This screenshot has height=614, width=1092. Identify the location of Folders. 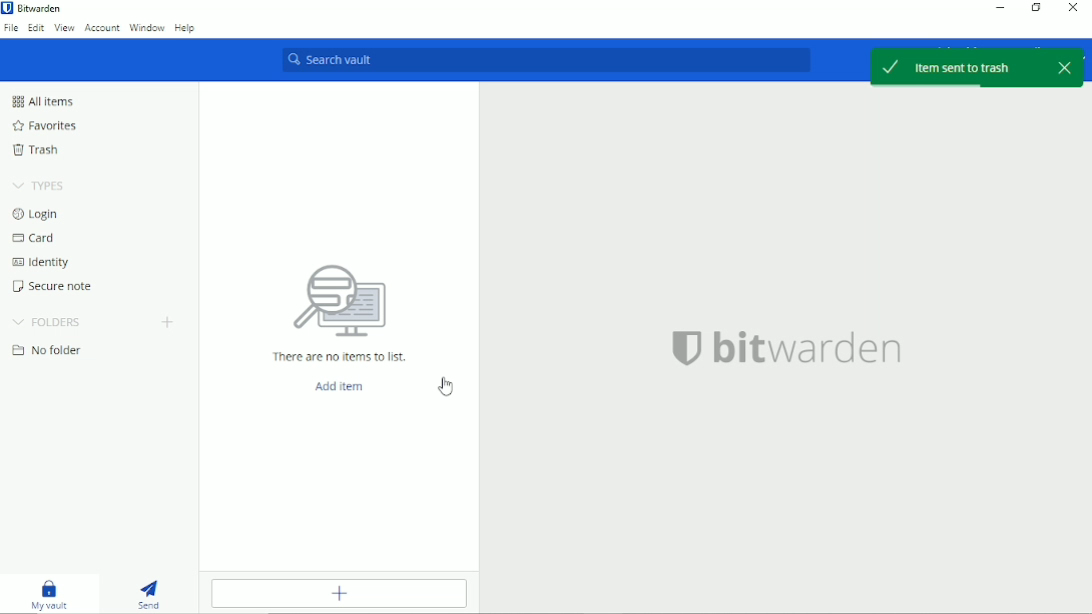
(47, 323).